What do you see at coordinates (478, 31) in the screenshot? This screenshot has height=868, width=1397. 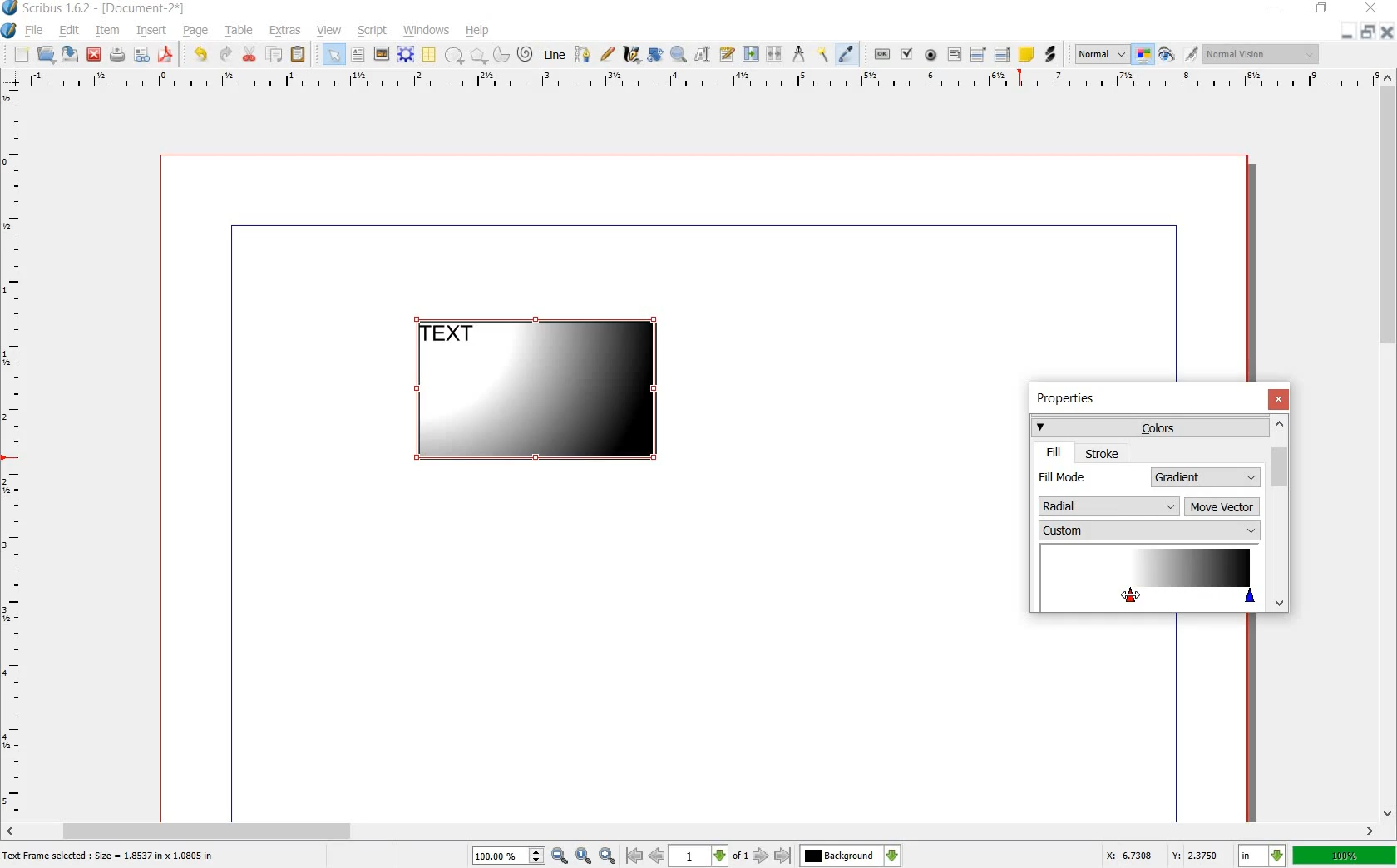 I see `help` at bounding box center [478, 31].